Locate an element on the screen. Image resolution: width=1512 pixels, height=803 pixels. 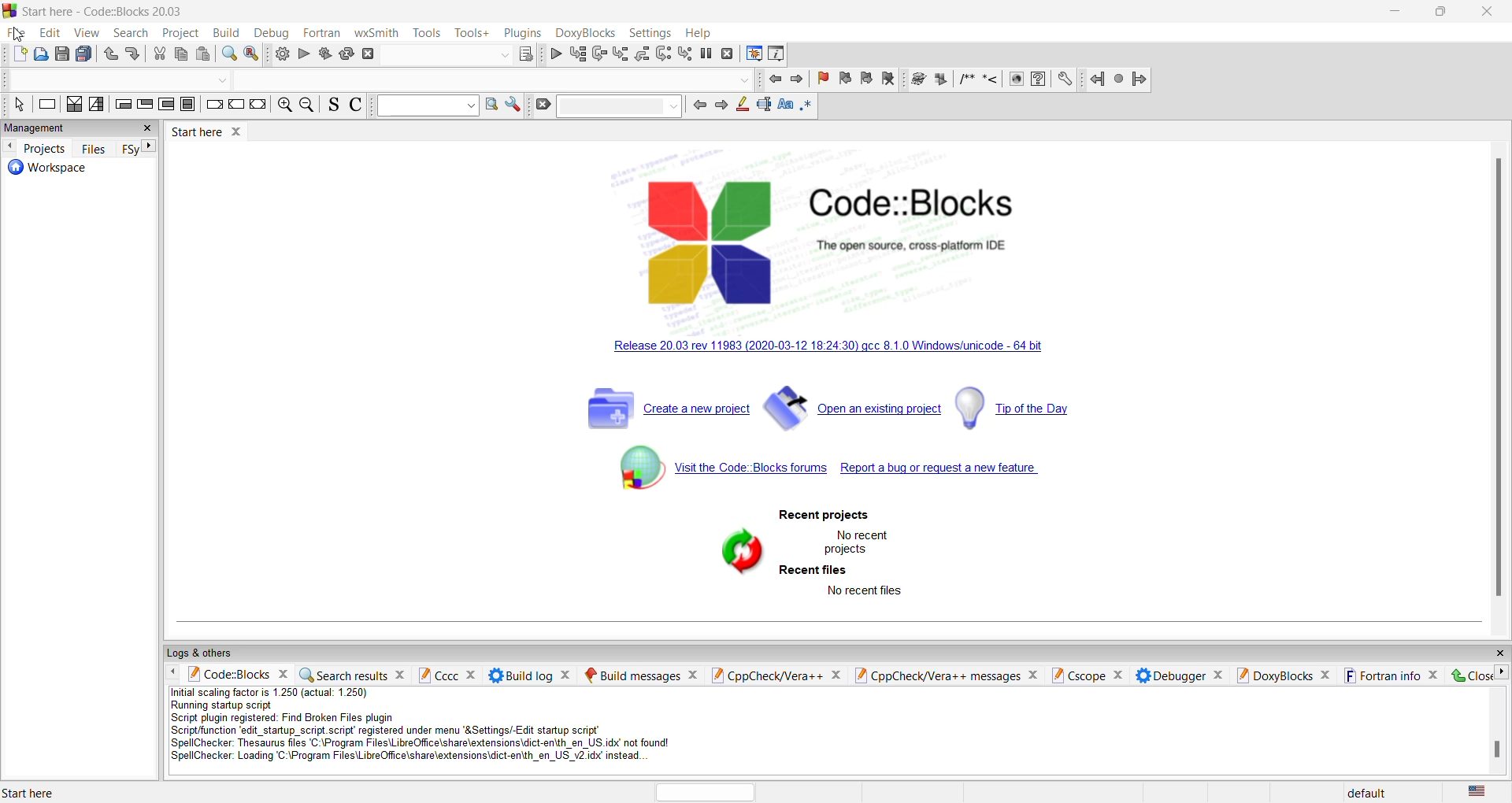
recent files is located at coordinates (814, 570).